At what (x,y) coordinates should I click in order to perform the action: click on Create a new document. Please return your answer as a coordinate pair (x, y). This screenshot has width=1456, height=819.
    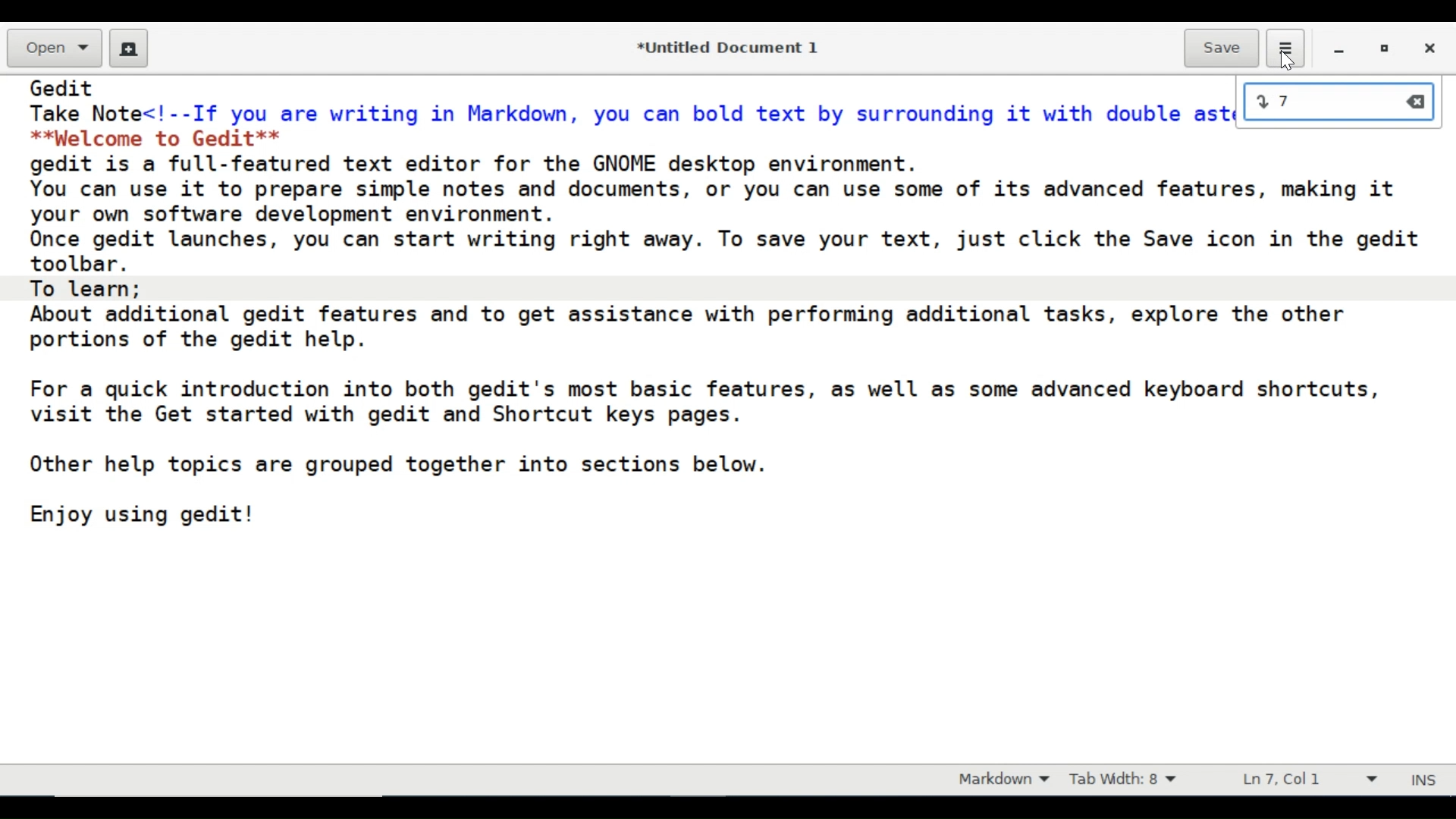
    Looking at the image, I should click on (130, 49).